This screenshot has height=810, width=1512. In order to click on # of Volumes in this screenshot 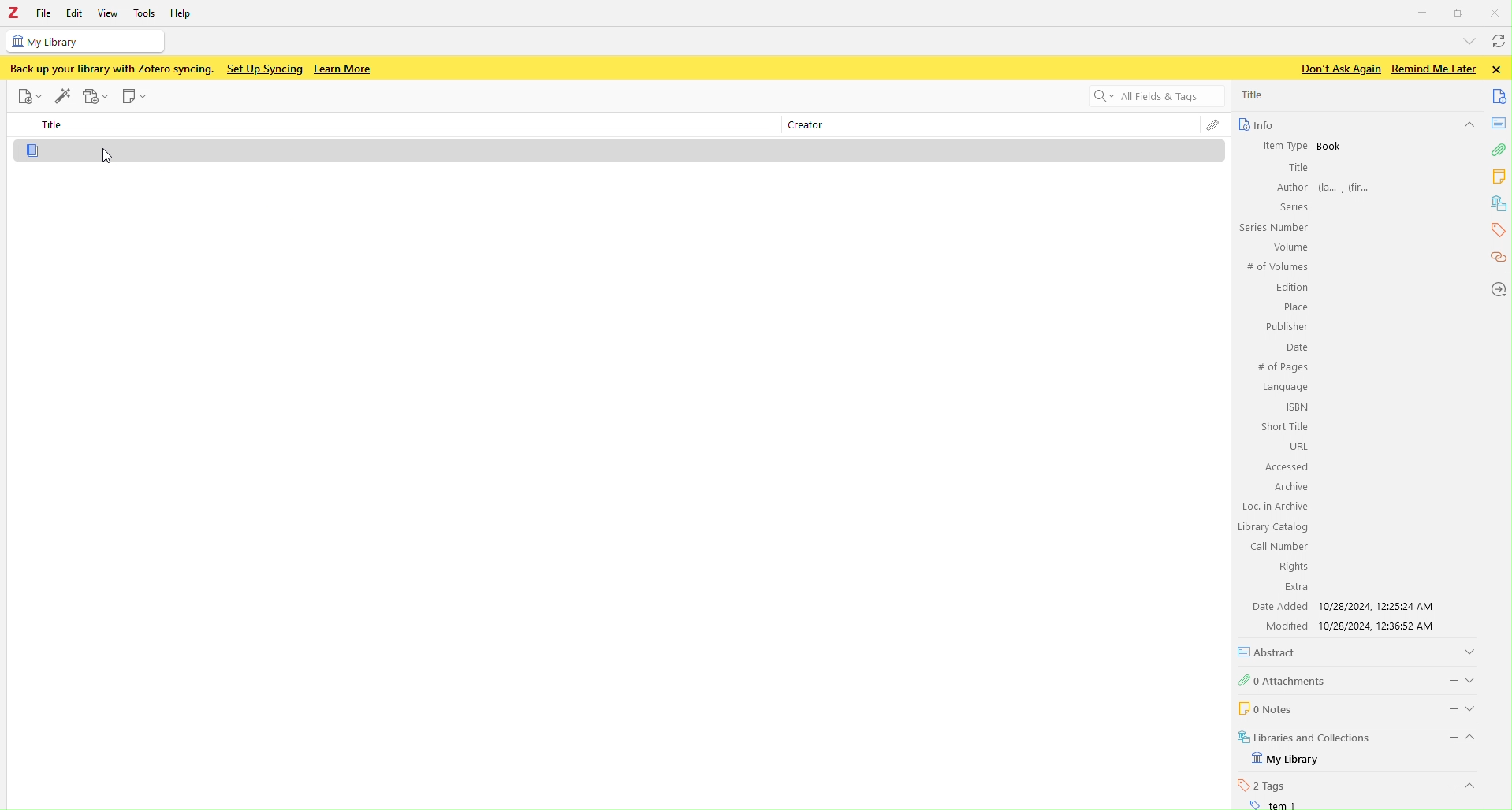, I will do `click(1276, 267)`.